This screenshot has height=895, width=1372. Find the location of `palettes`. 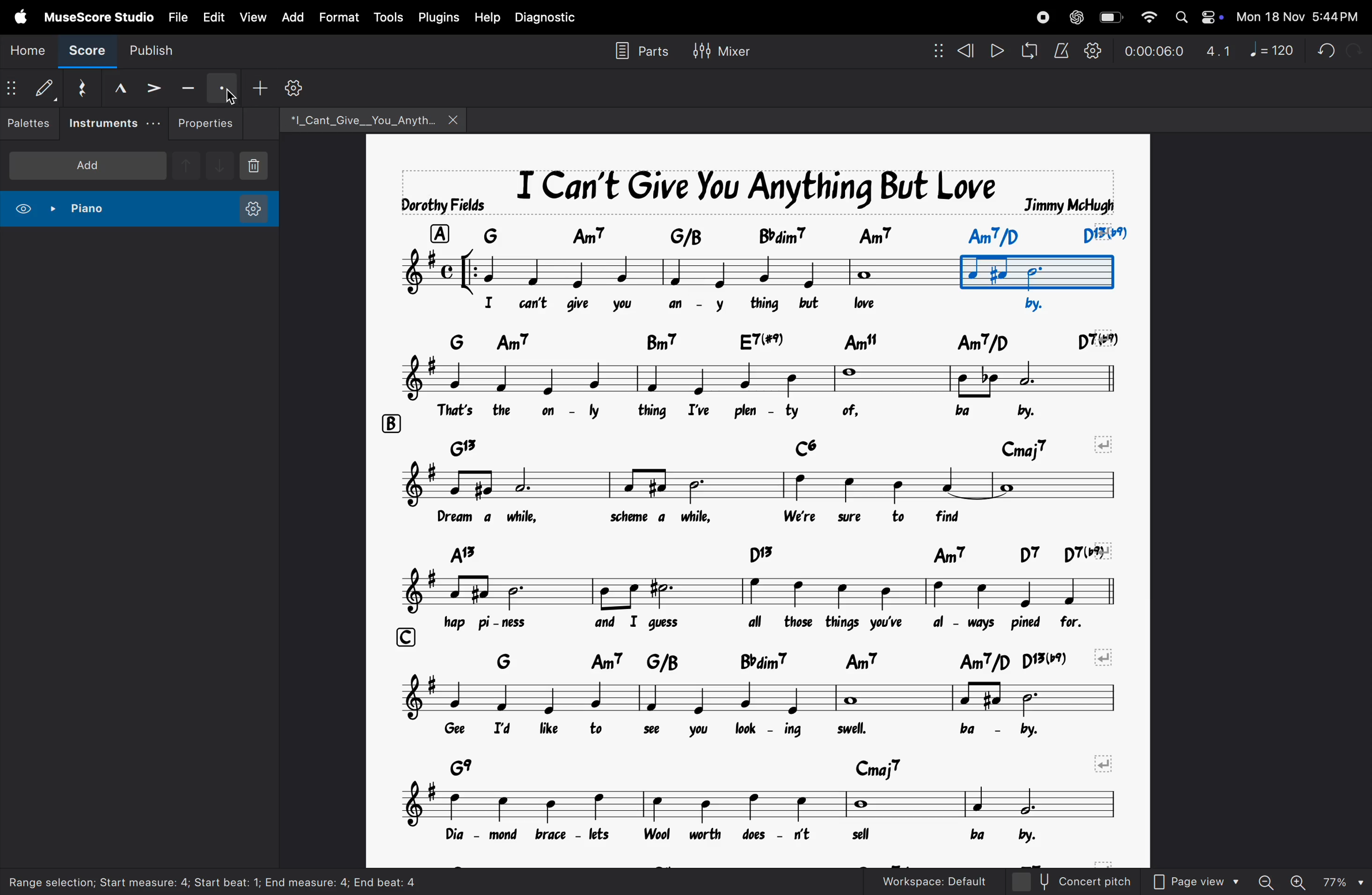

palettes is located at coordinates (32, 124).